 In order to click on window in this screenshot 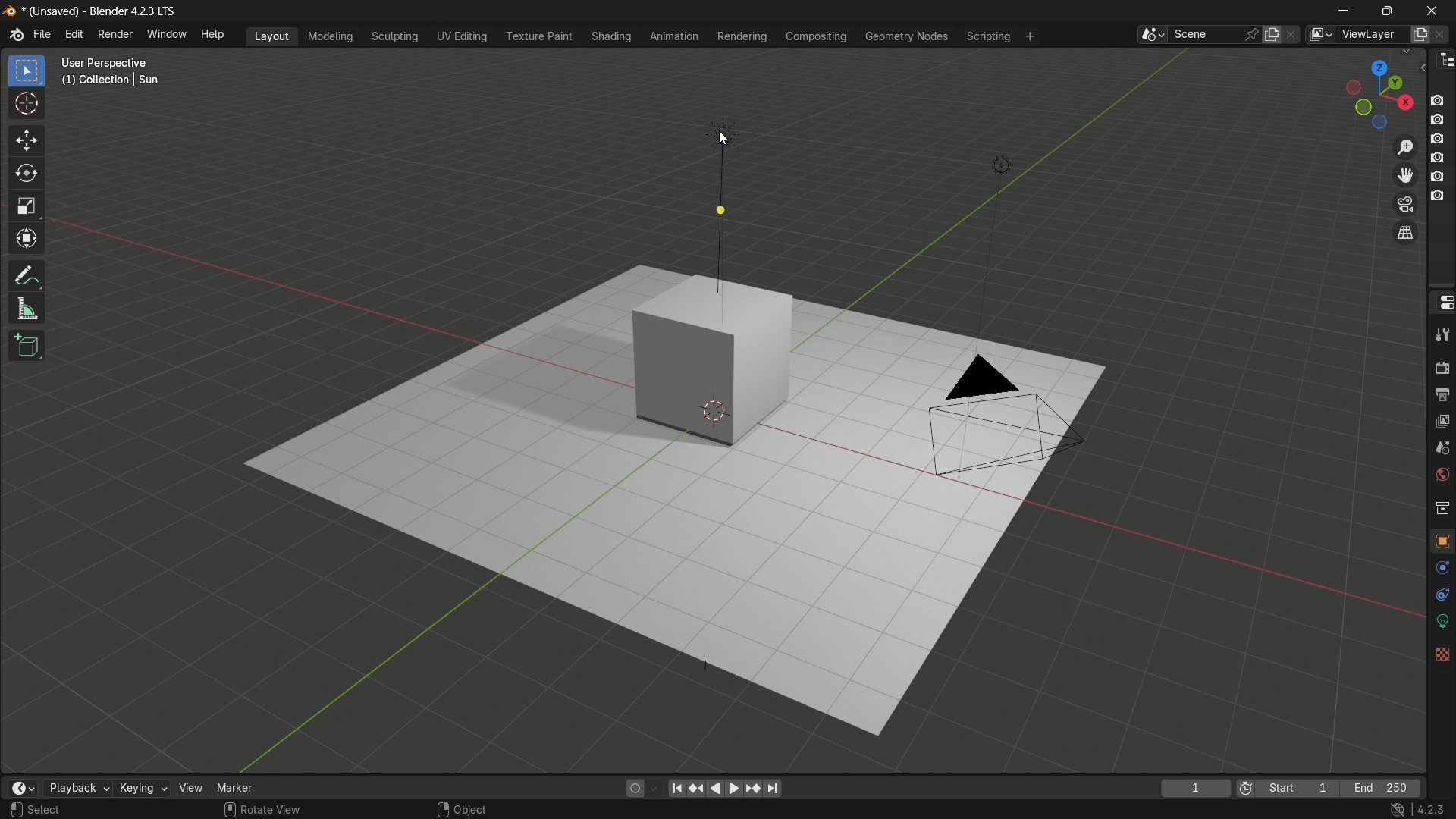, I will do `click(168, 36)`.